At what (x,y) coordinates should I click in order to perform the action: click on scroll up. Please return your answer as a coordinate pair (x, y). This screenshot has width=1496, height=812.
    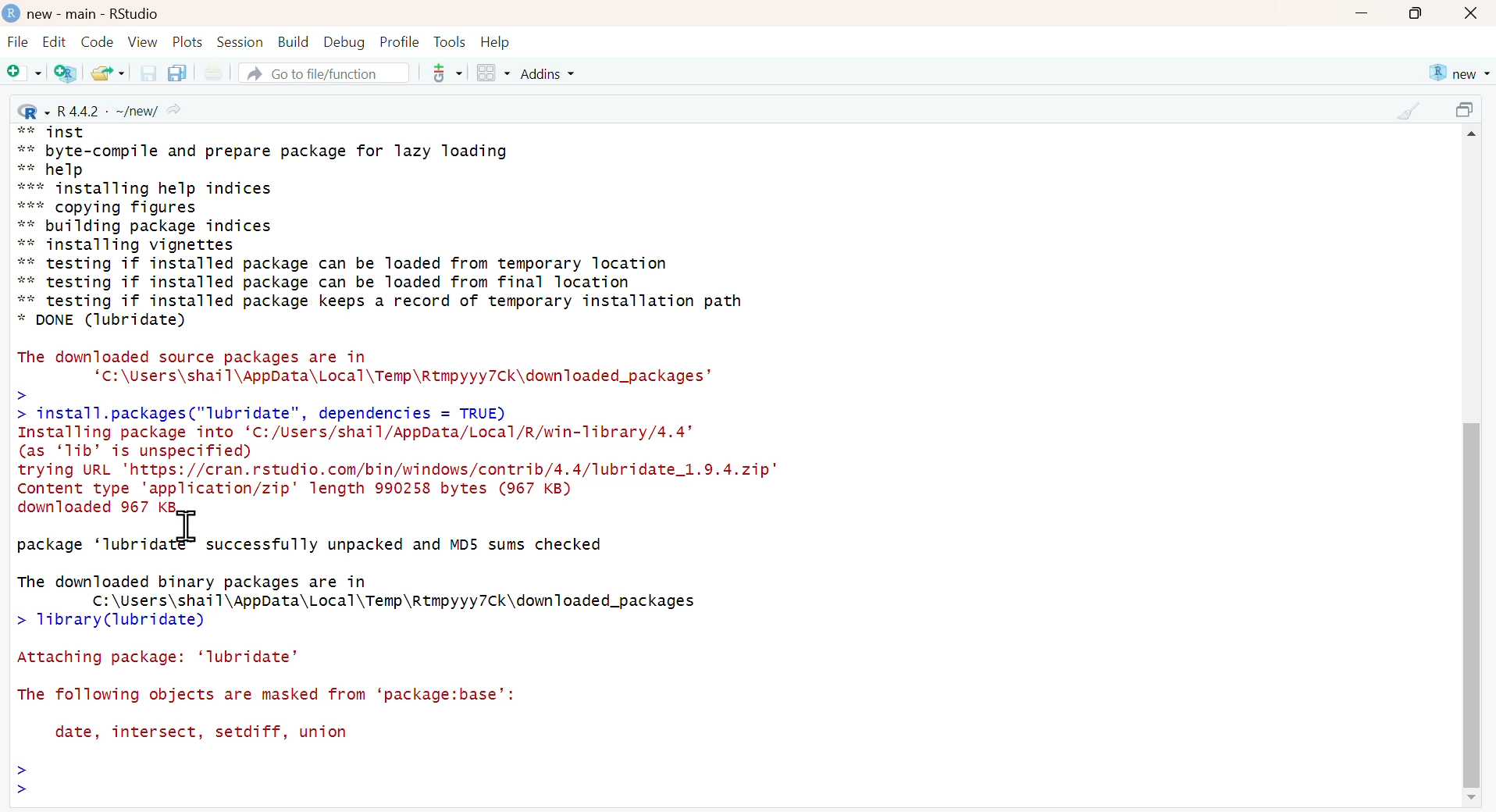
    Looking at the image, I should click on (1474, 137).